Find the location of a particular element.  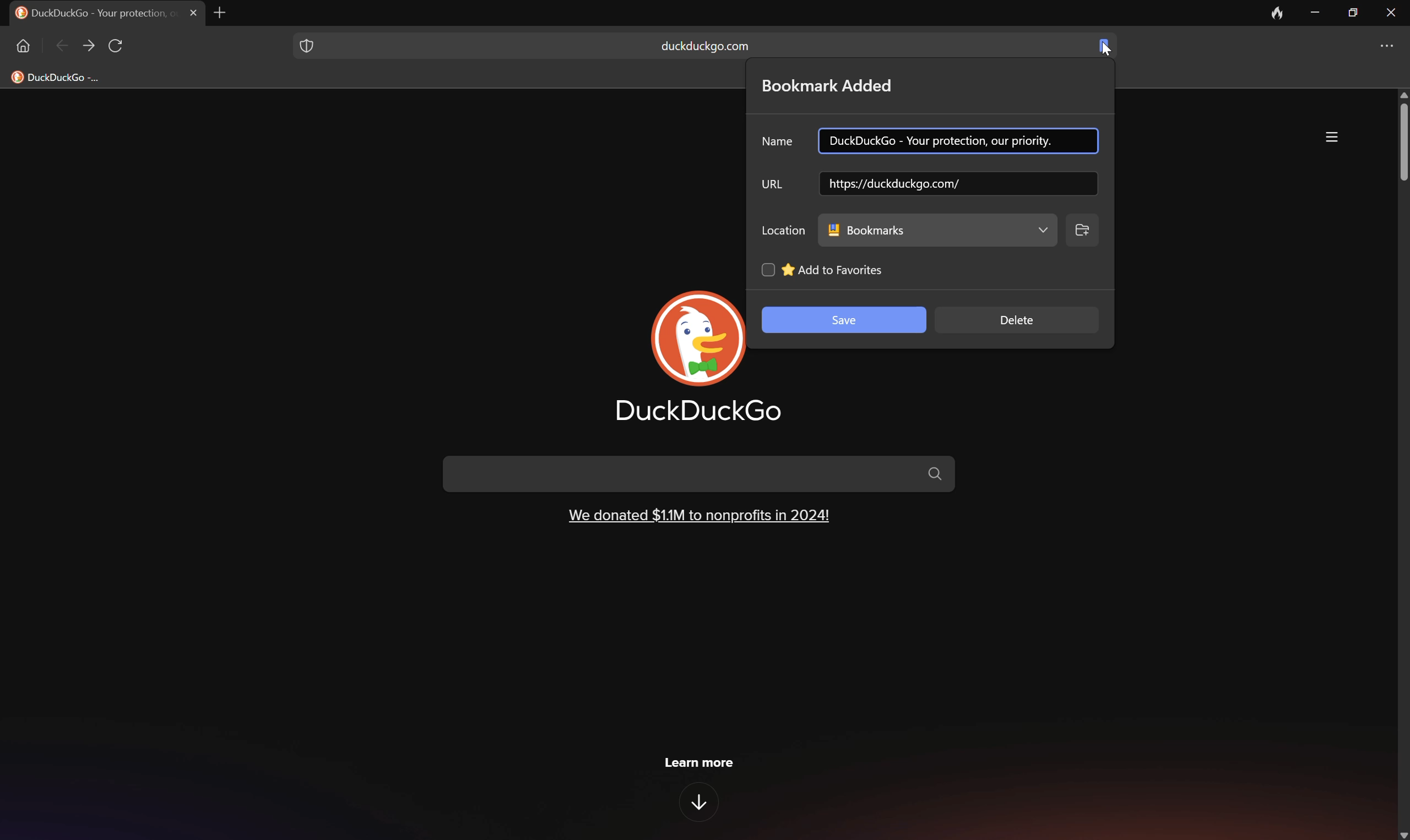

More is located at coordinates (1391, 46).